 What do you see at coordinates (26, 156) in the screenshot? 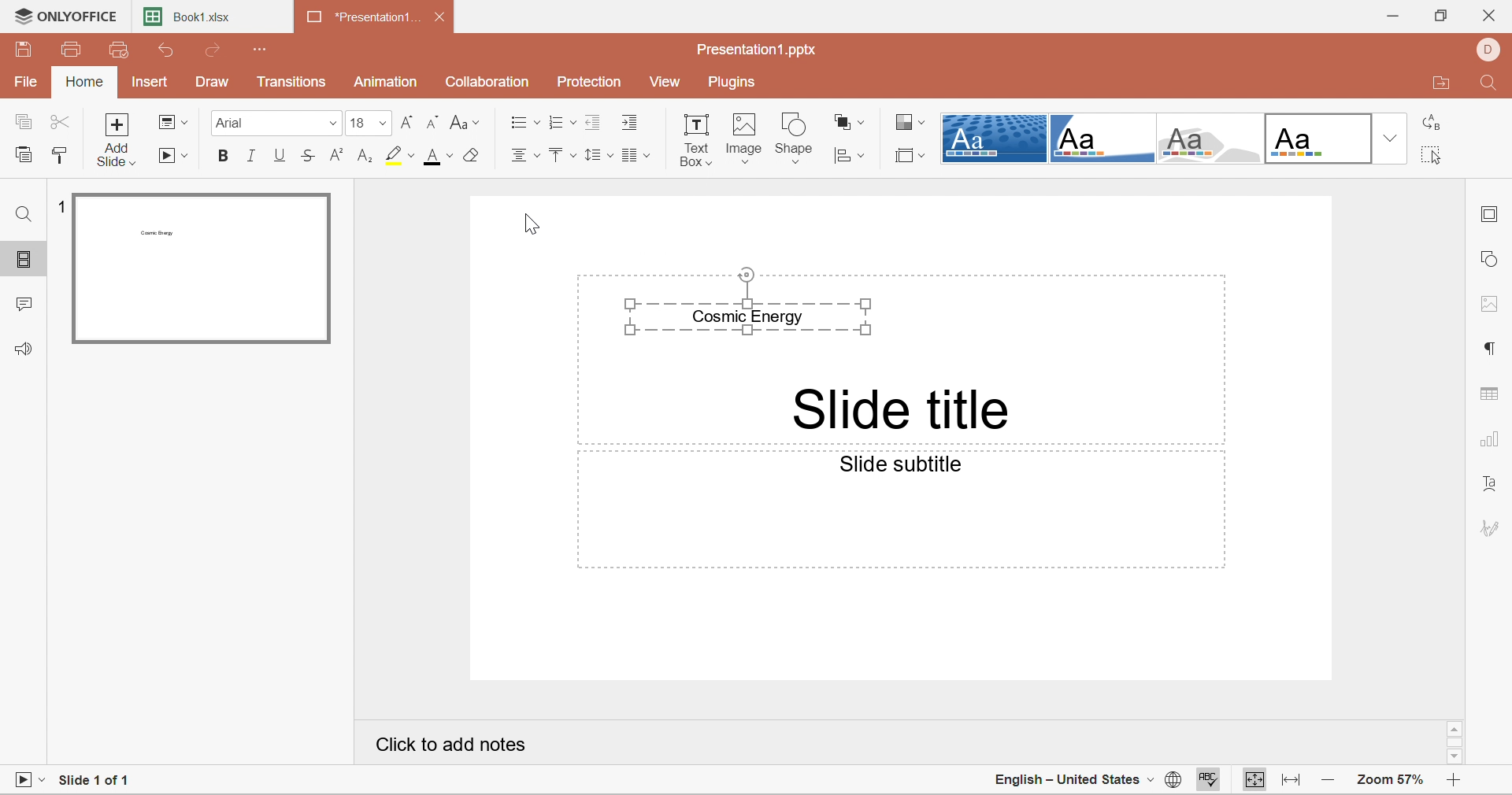
I see `Paste` at bounding box center [26, 156].